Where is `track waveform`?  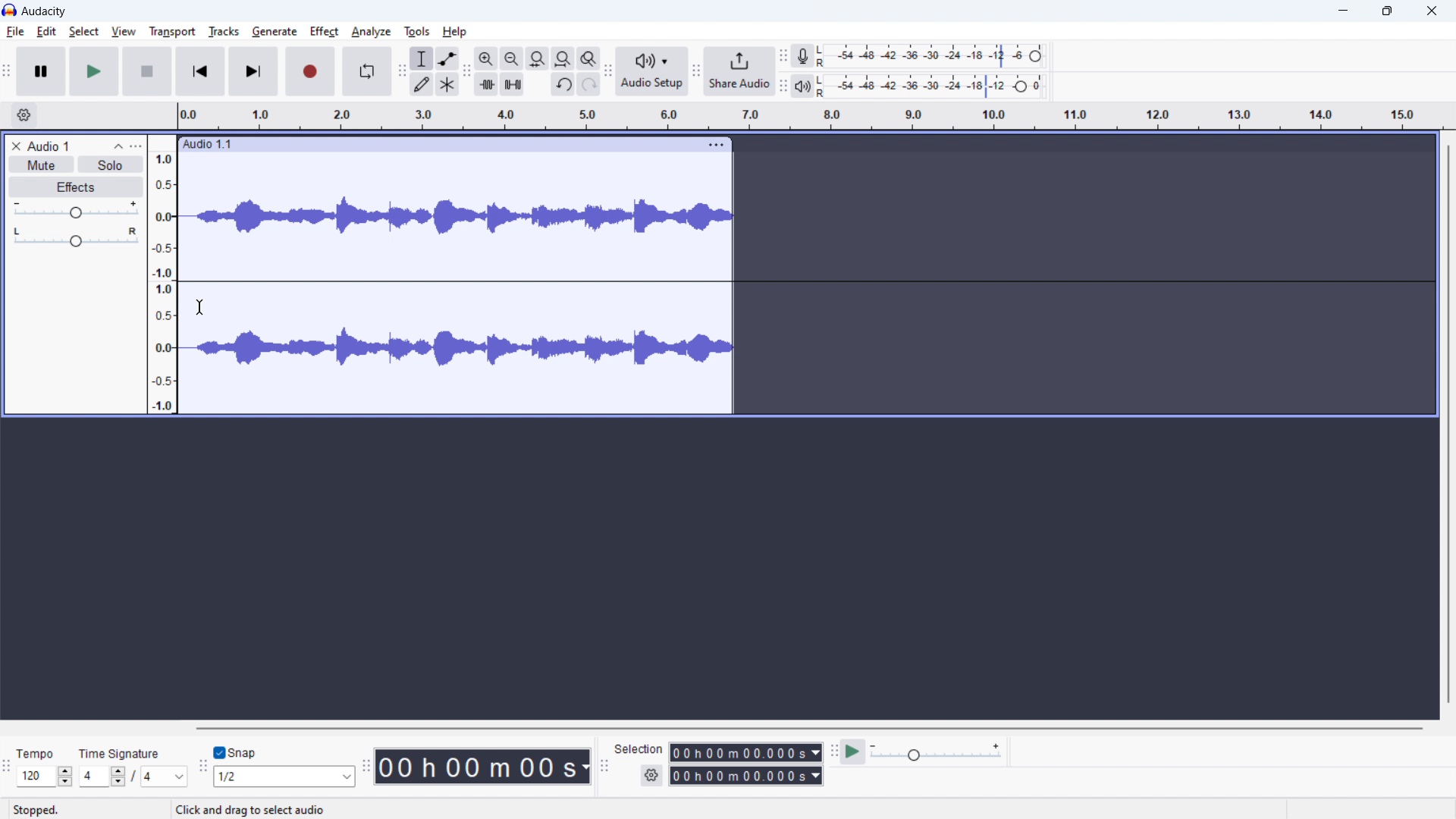 track waveform is located at coordinates (457, 284).